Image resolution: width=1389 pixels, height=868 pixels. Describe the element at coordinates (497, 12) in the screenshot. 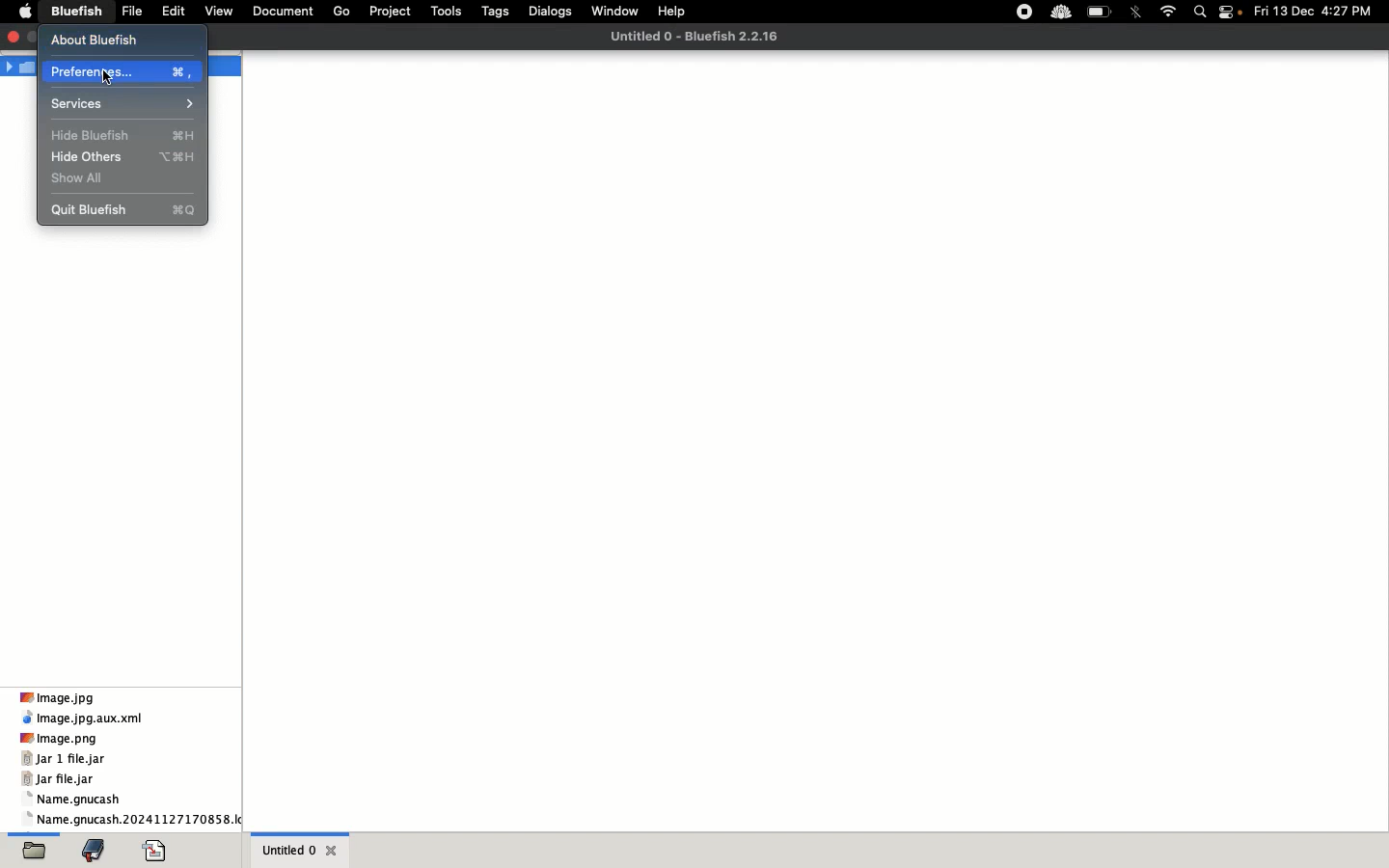

I see `Tags` at that location.